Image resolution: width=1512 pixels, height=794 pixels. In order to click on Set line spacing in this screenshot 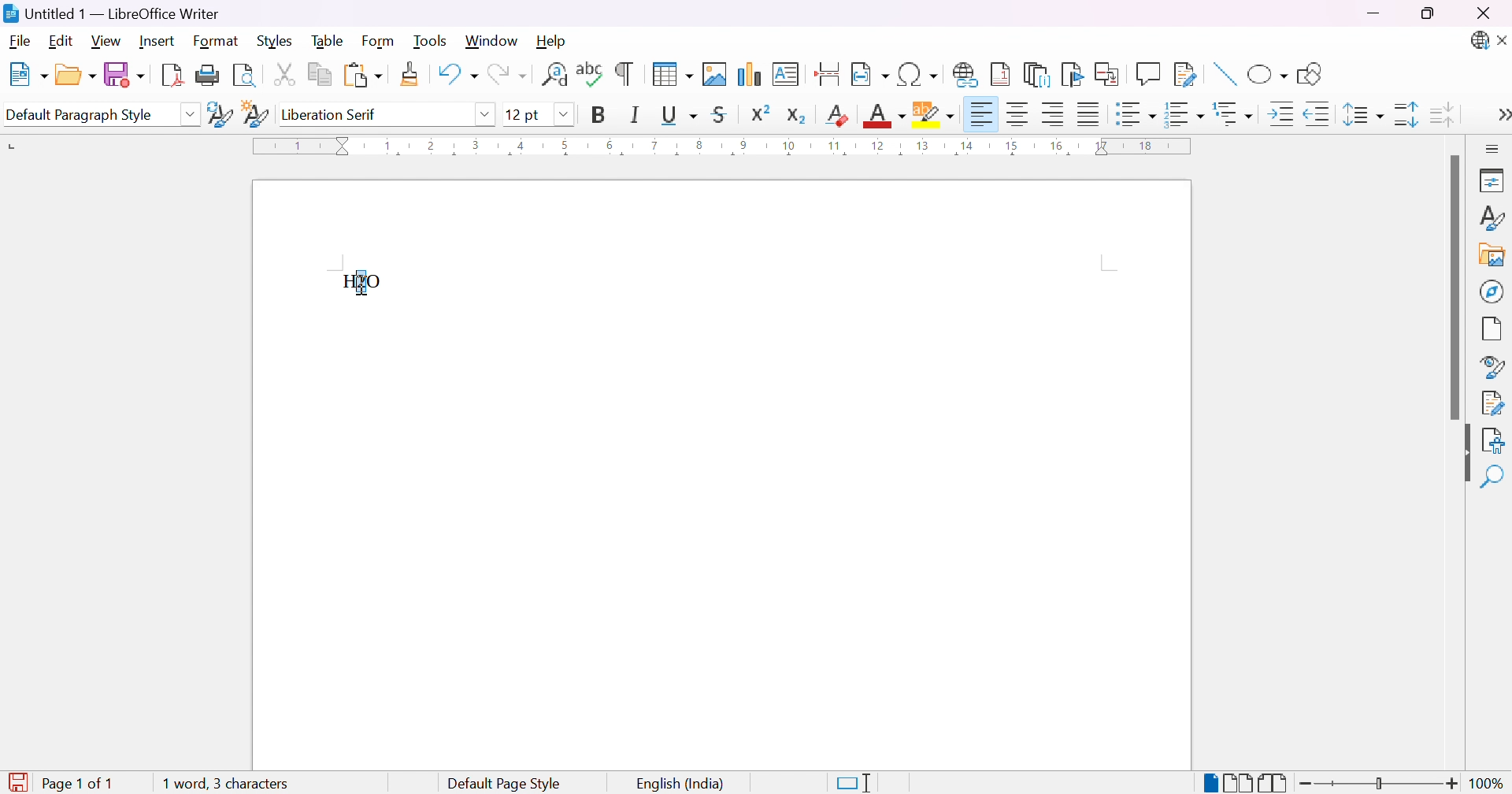, I will do `click(1360, 115)`.